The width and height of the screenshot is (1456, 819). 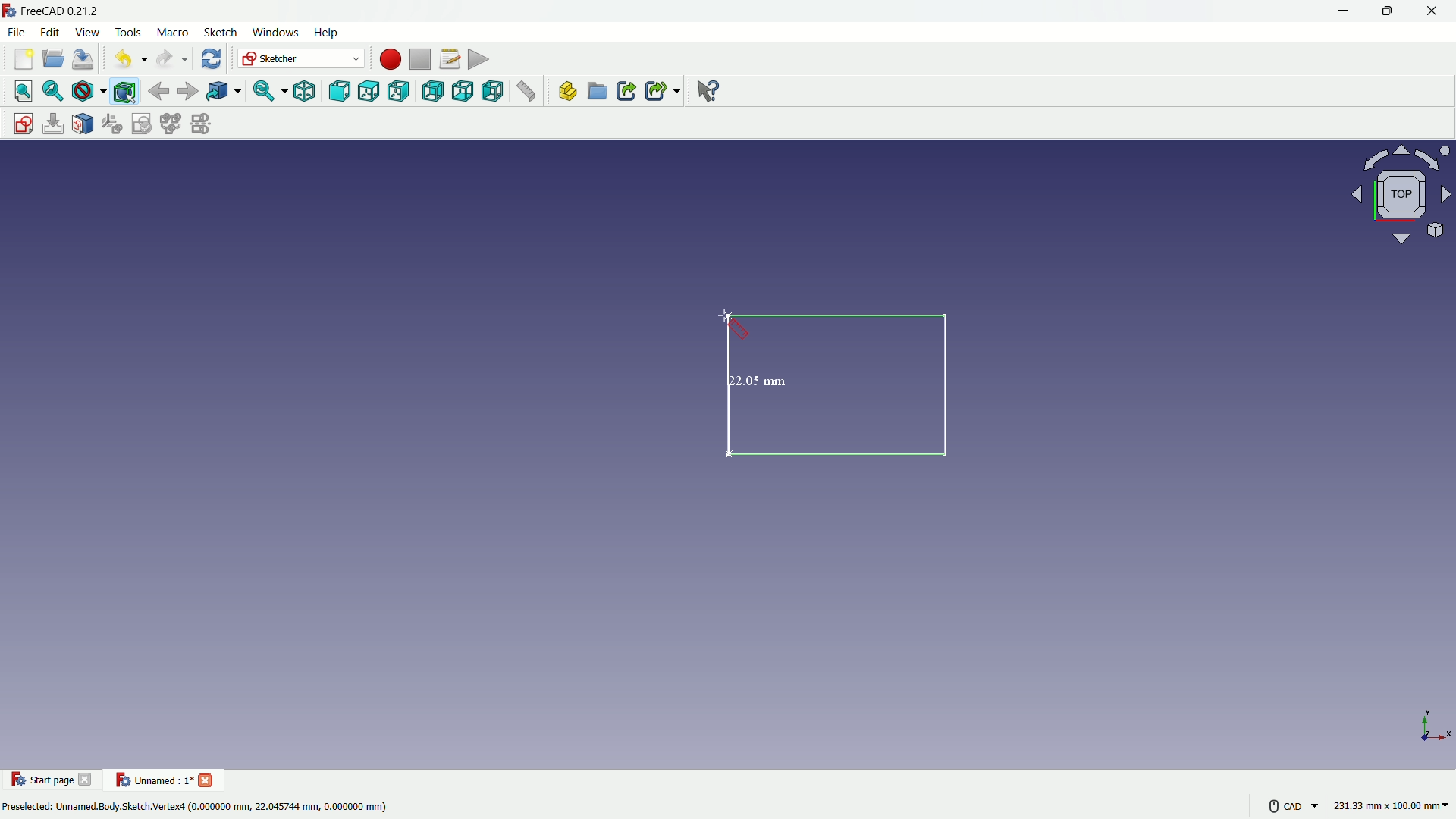 I want to click on new file, so click(x=21, y=62).